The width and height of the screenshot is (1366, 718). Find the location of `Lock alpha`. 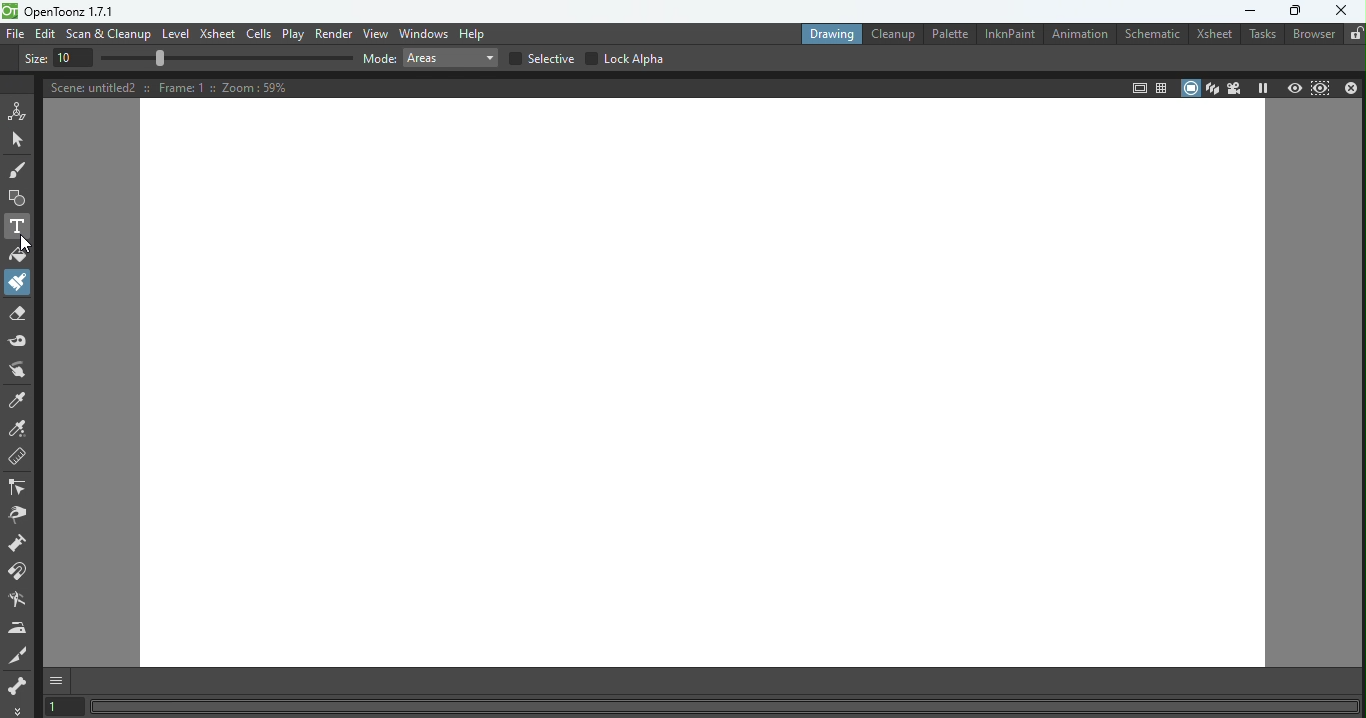

Lock alpha is located at coordinates (626, 58).